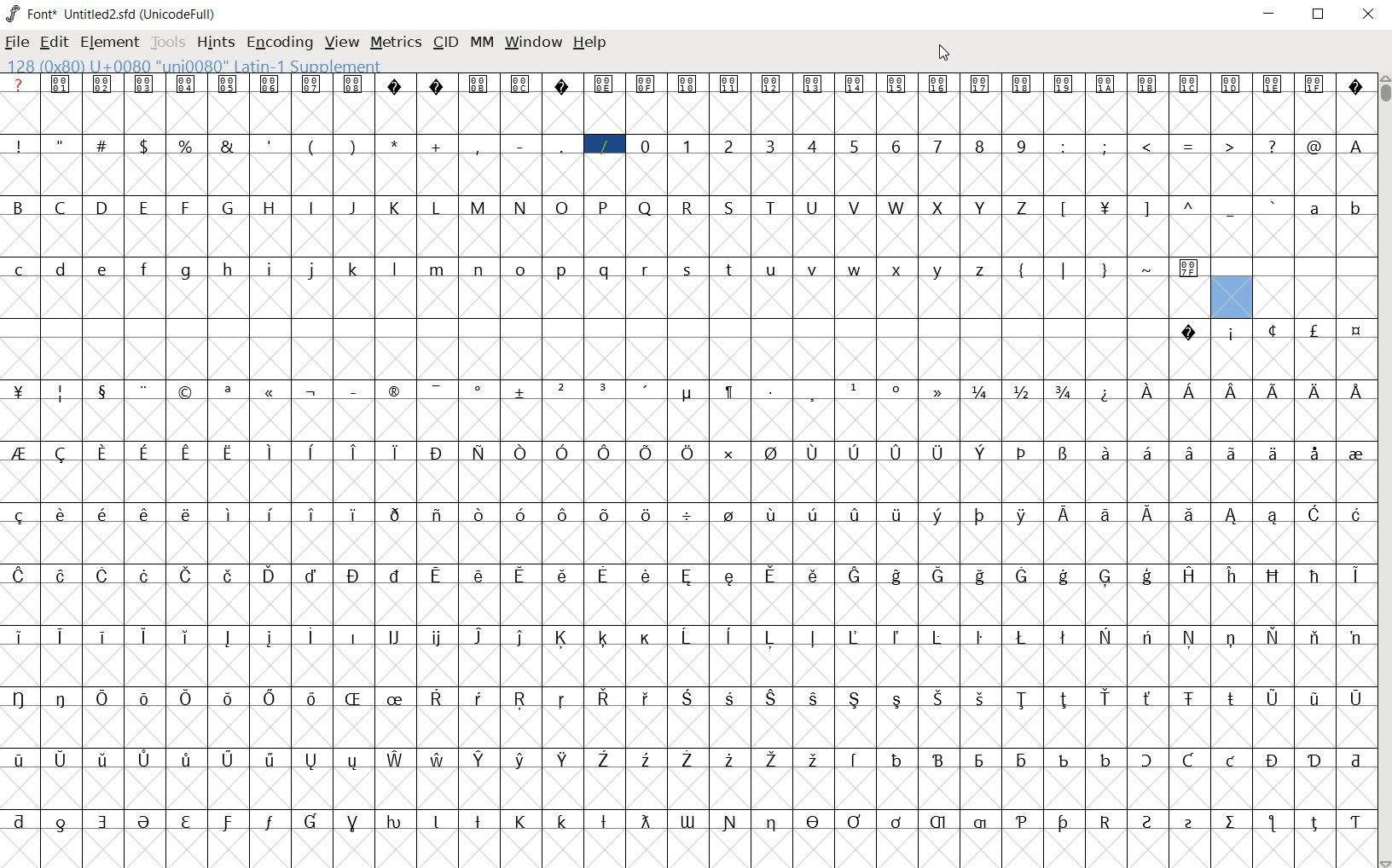  I want to click on glyph, so click(311, 761).